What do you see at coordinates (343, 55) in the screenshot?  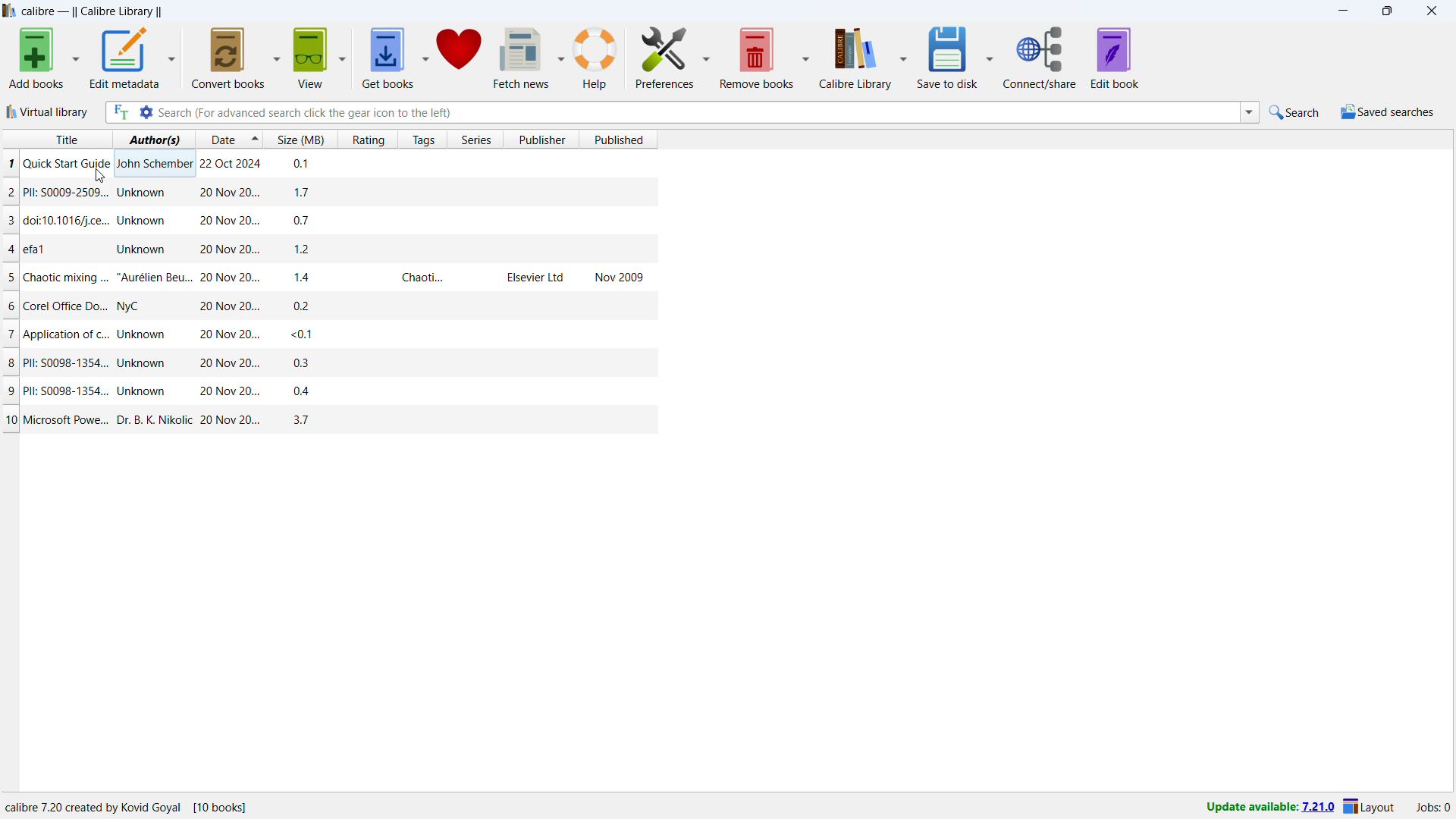 I see `view options` at bounding box center [343, 55].